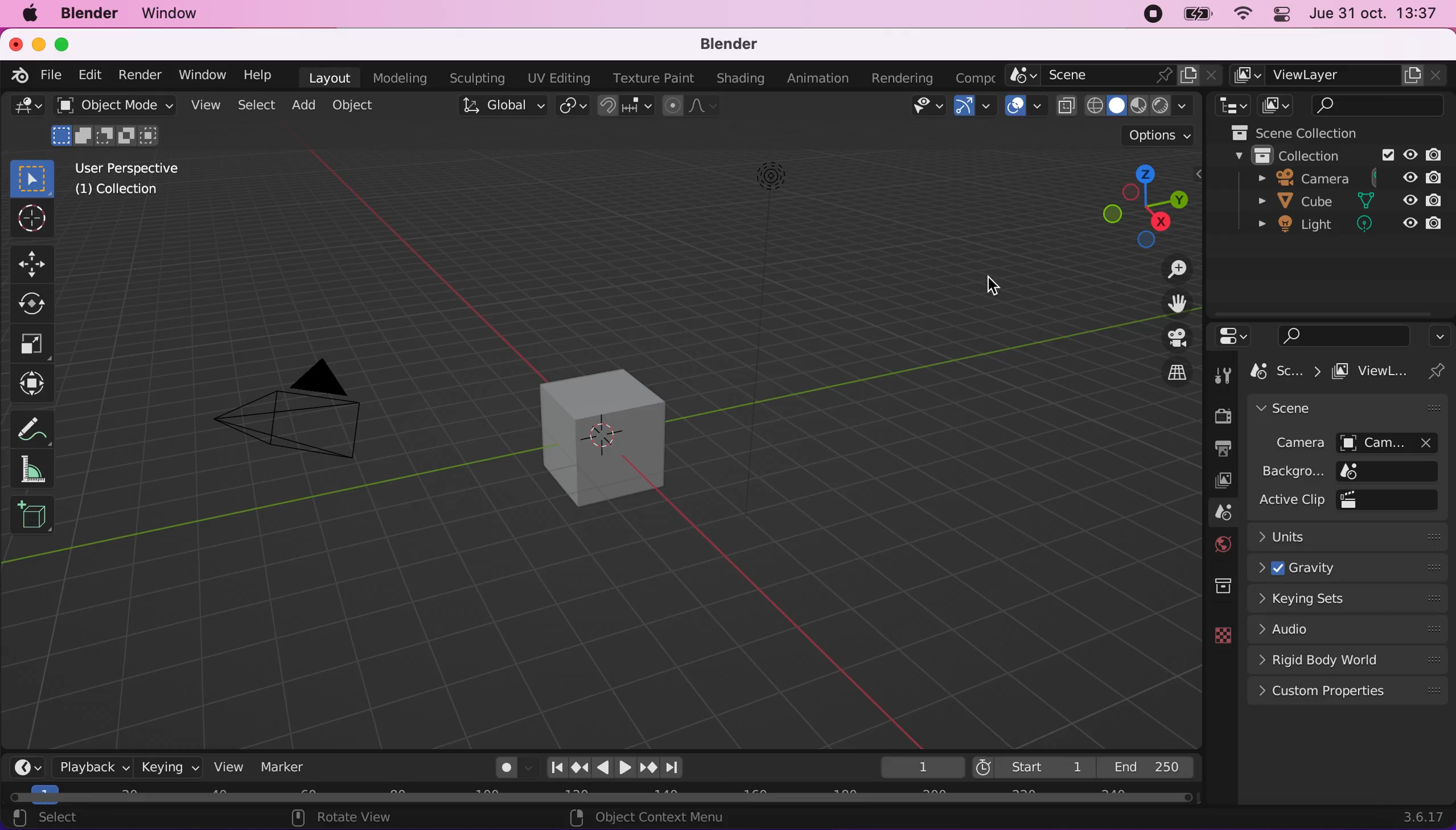 Image resolution: width=1456 pixels, height=830 pixels. Describe the element at coordinates (1209, 587) in the screenshot. I see `collection` at that location.